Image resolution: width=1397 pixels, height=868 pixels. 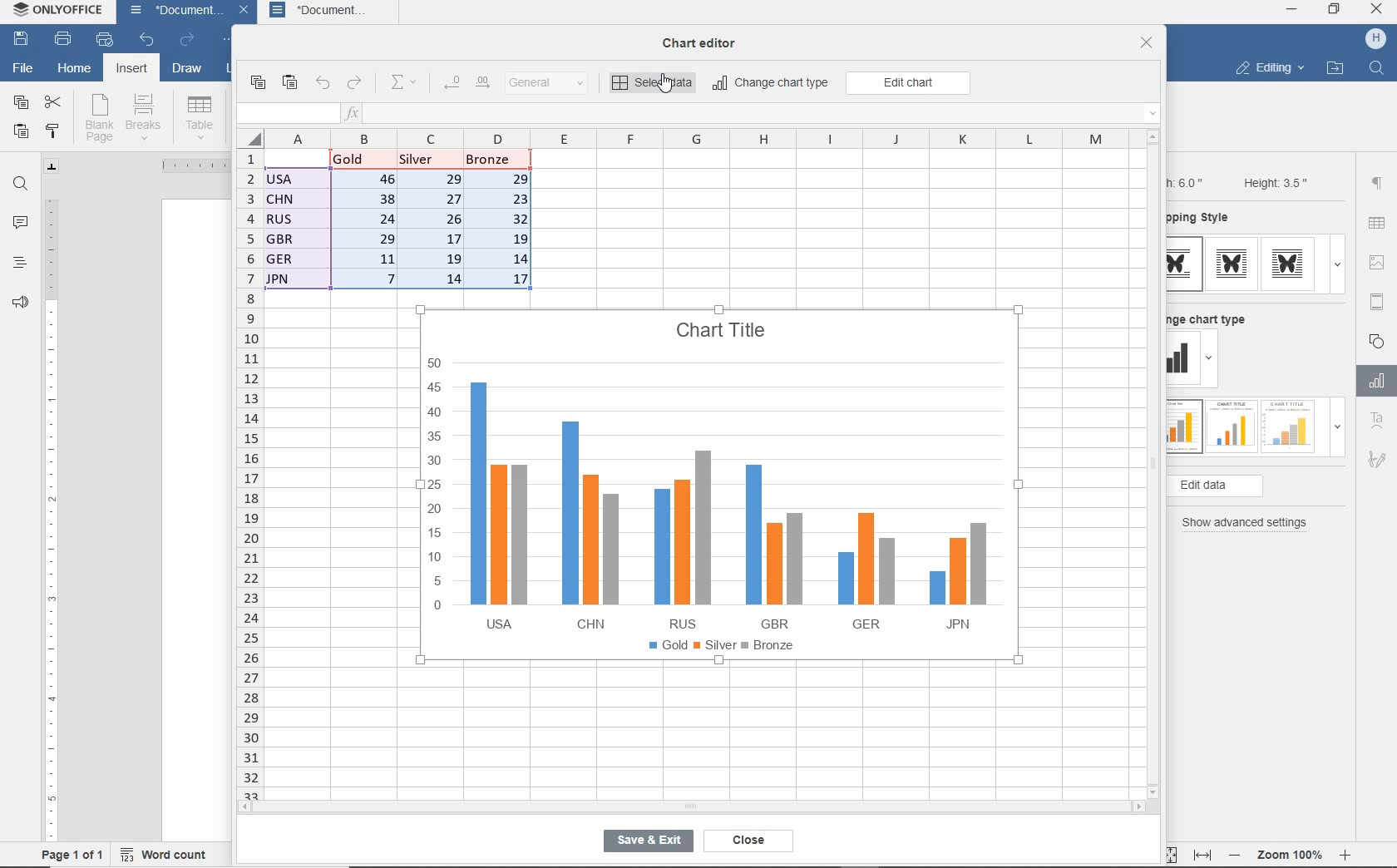 What do you see at coordinates (169, 852) in the screenshot?
I see `word count` at bounding box center [169, 852].